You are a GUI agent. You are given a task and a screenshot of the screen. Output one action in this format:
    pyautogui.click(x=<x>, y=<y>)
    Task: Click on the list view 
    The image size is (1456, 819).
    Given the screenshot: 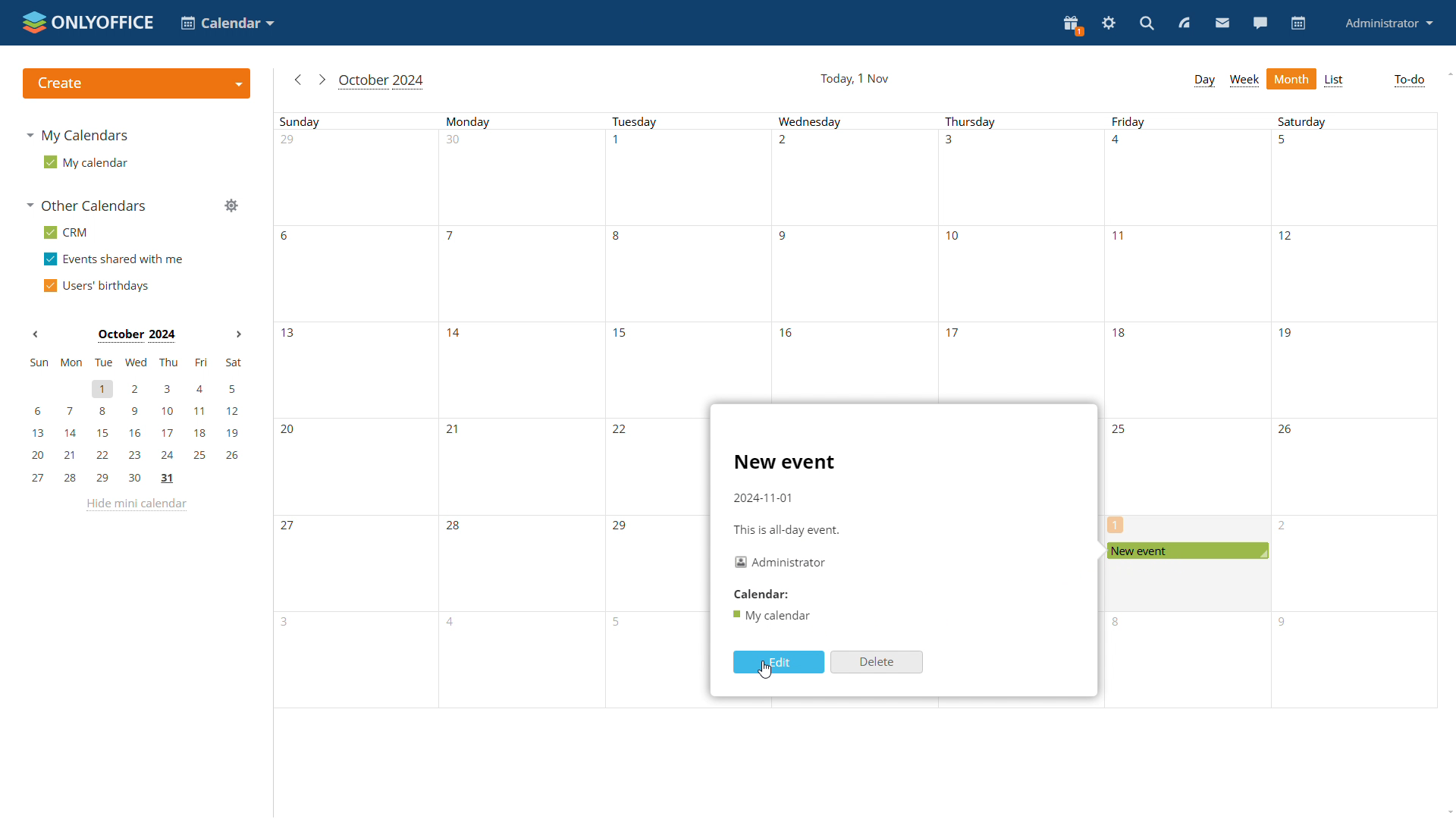 What is the action you would take?
    pyautogui.click(x=1335, y=80)
    